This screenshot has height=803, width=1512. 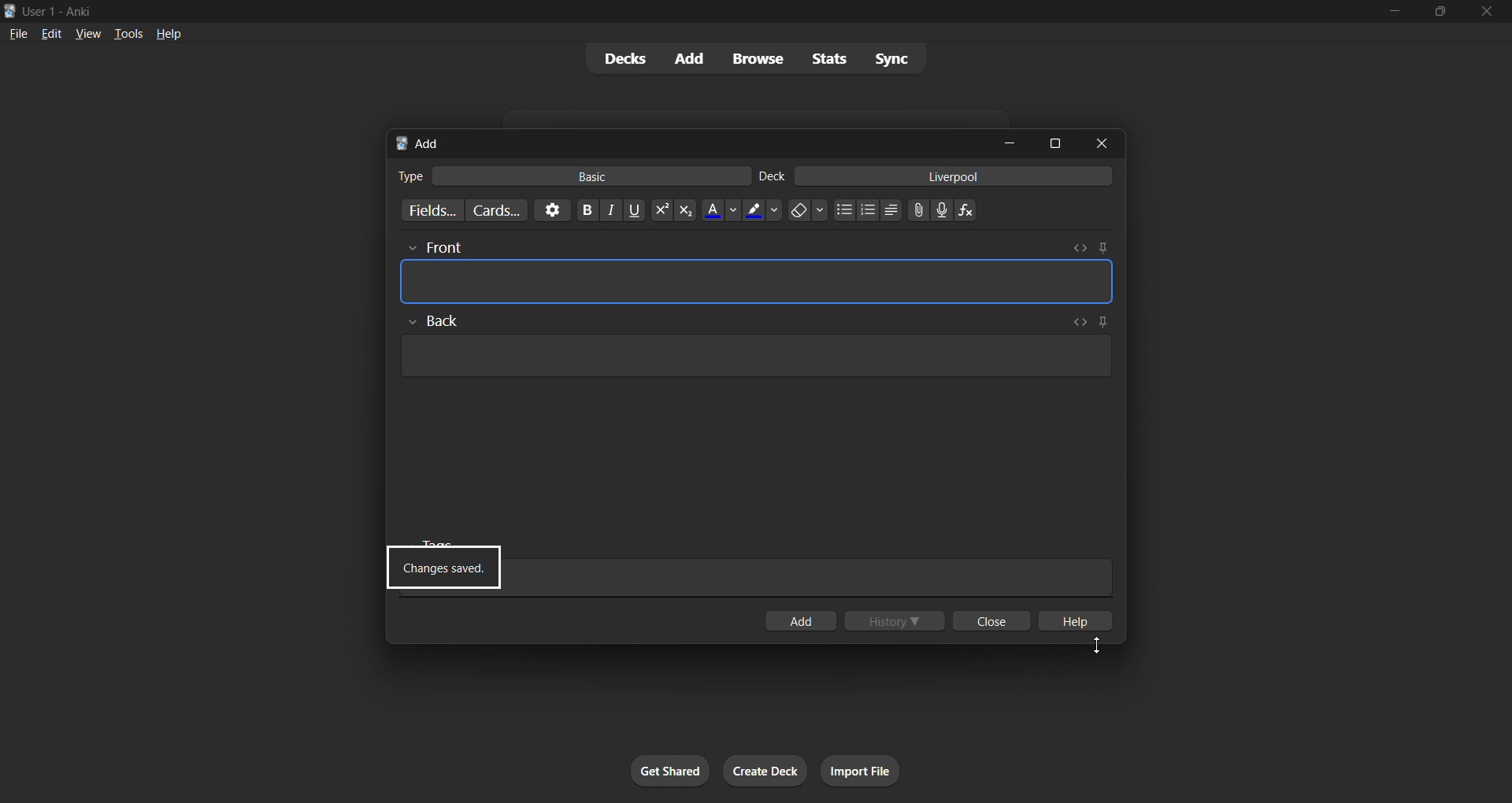 I want to click on  power, so click(x=661, y=211).